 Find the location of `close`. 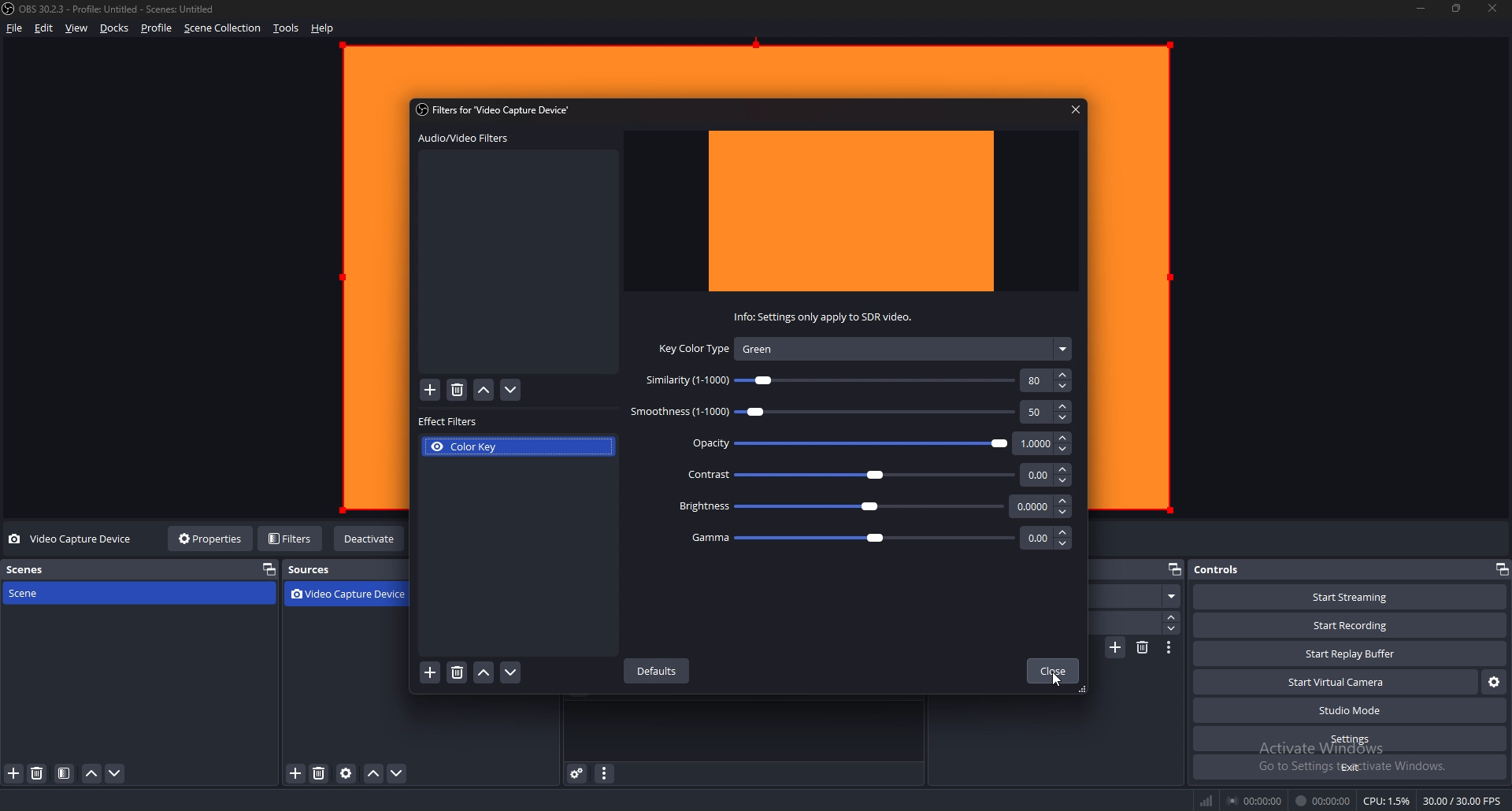

close is located at coordinates (1077, 109).